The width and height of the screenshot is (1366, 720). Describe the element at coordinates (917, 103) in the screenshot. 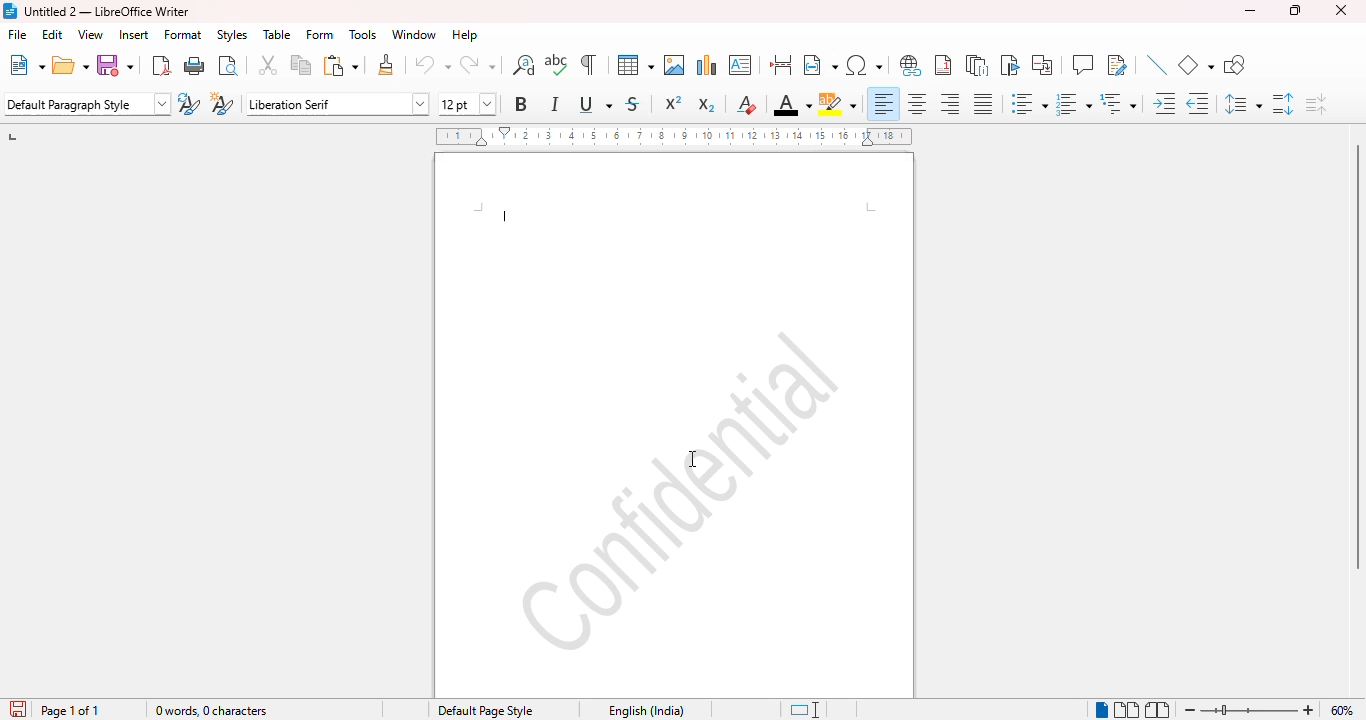

I see `align center` at that location.